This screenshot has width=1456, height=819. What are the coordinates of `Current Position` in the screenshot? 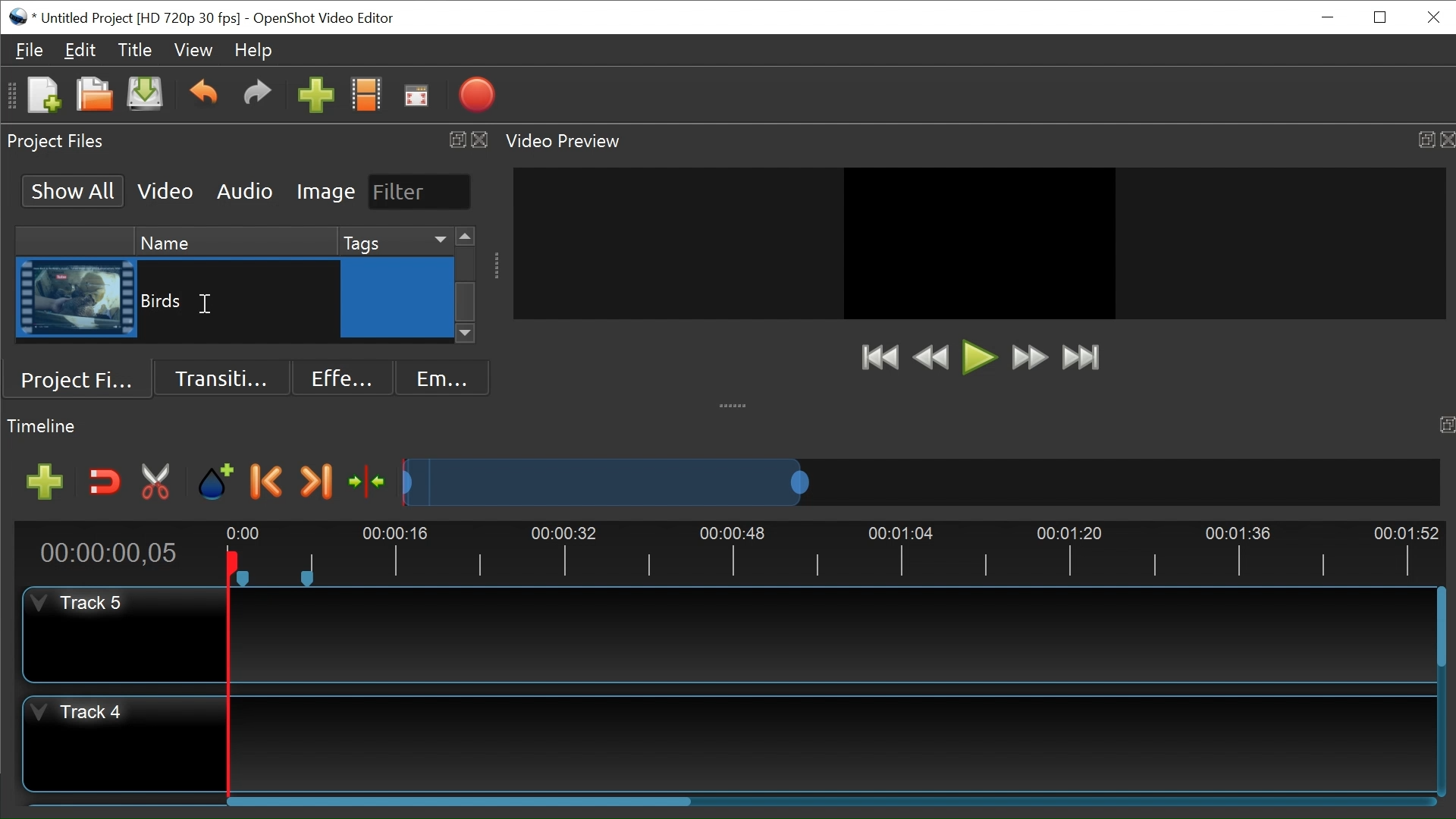 It's located at (108, 555).